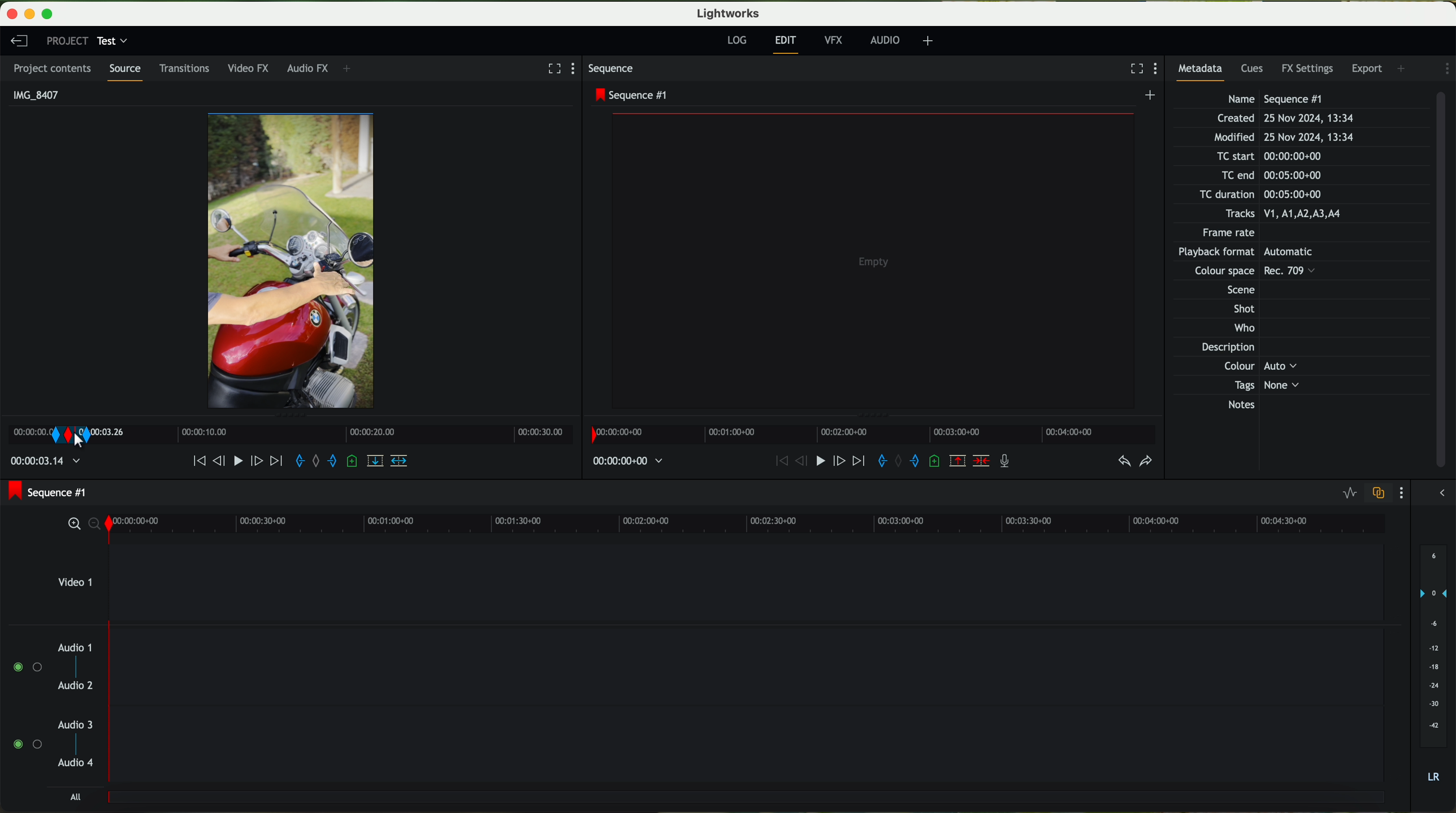  Describe the element at coordinates (1431, 663) in the screenshot. I see `audio output level (dB)` at that location.